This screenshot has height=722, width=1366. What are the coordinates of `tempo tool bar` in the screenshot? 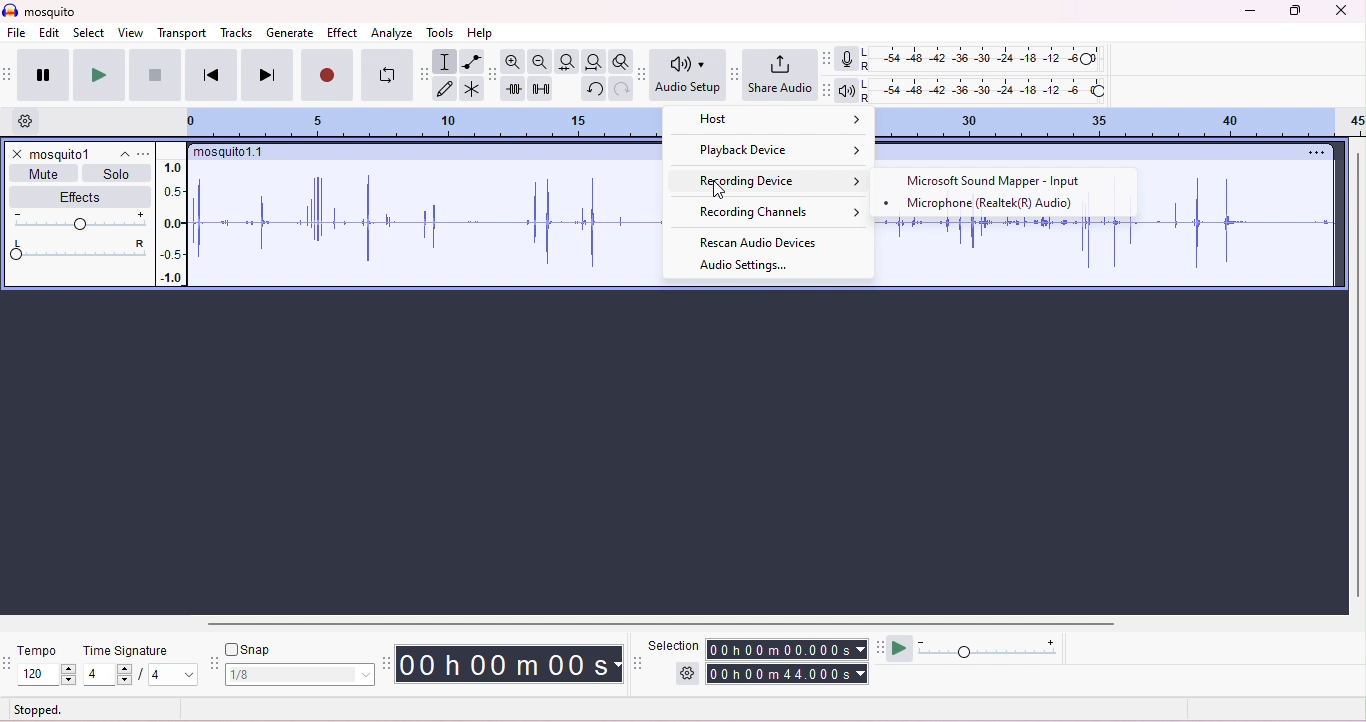 It's located at (9, 661).